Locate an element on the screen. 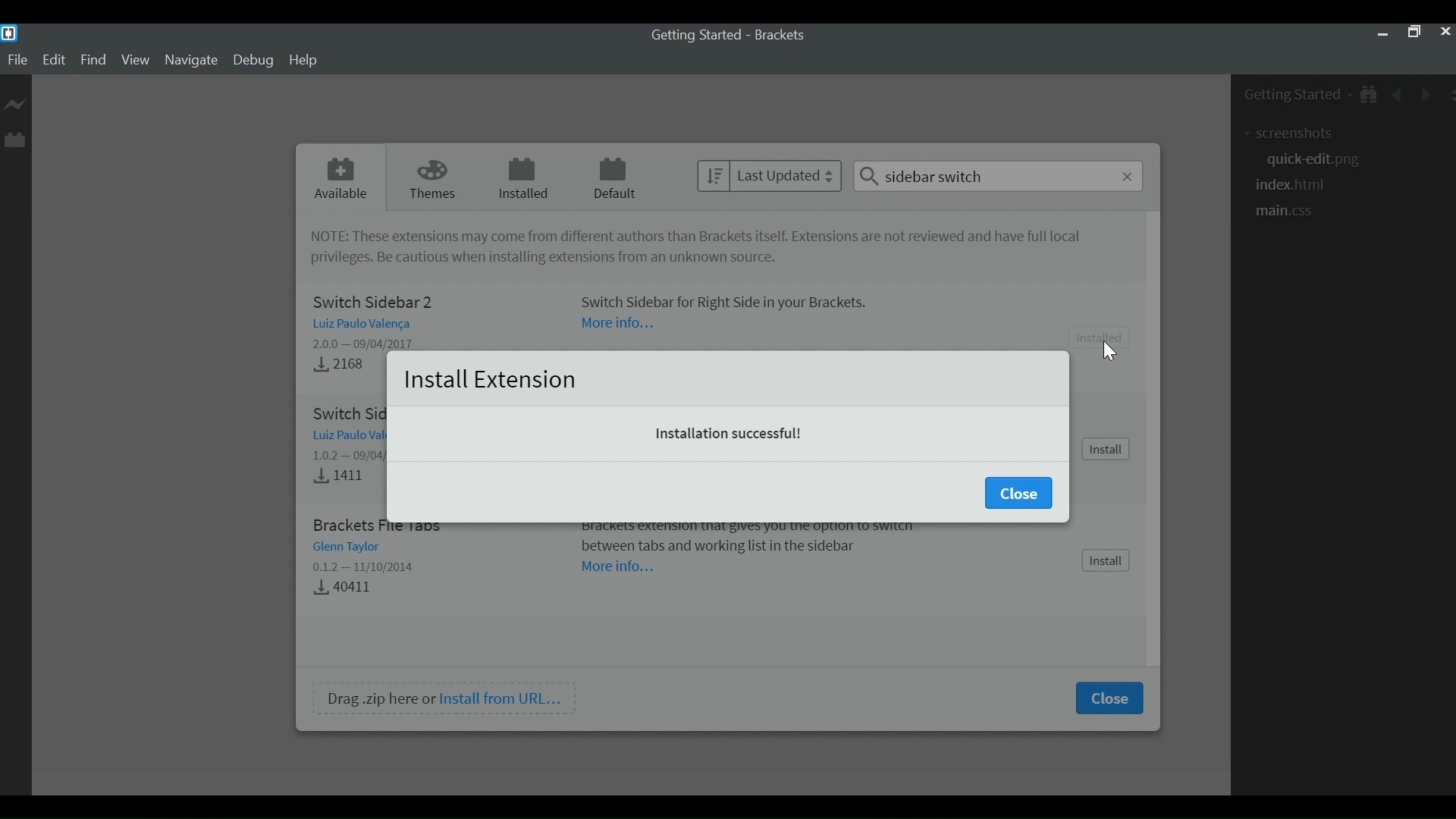 The image size is (1456, 819). install is located at coordinates (1104, 560).